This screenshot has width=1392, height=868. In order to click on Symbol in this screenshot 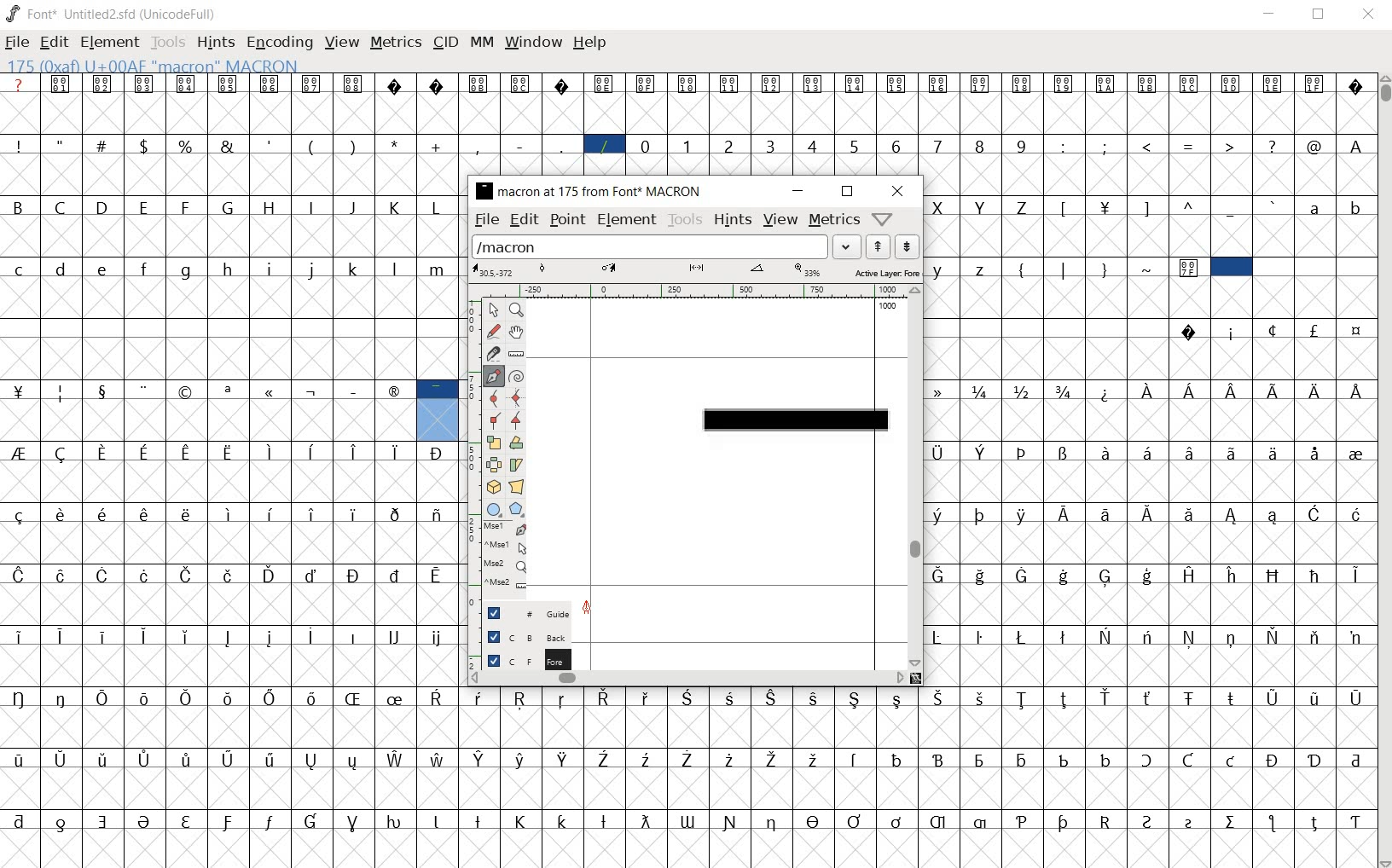, I will do `click(940, 574)`.